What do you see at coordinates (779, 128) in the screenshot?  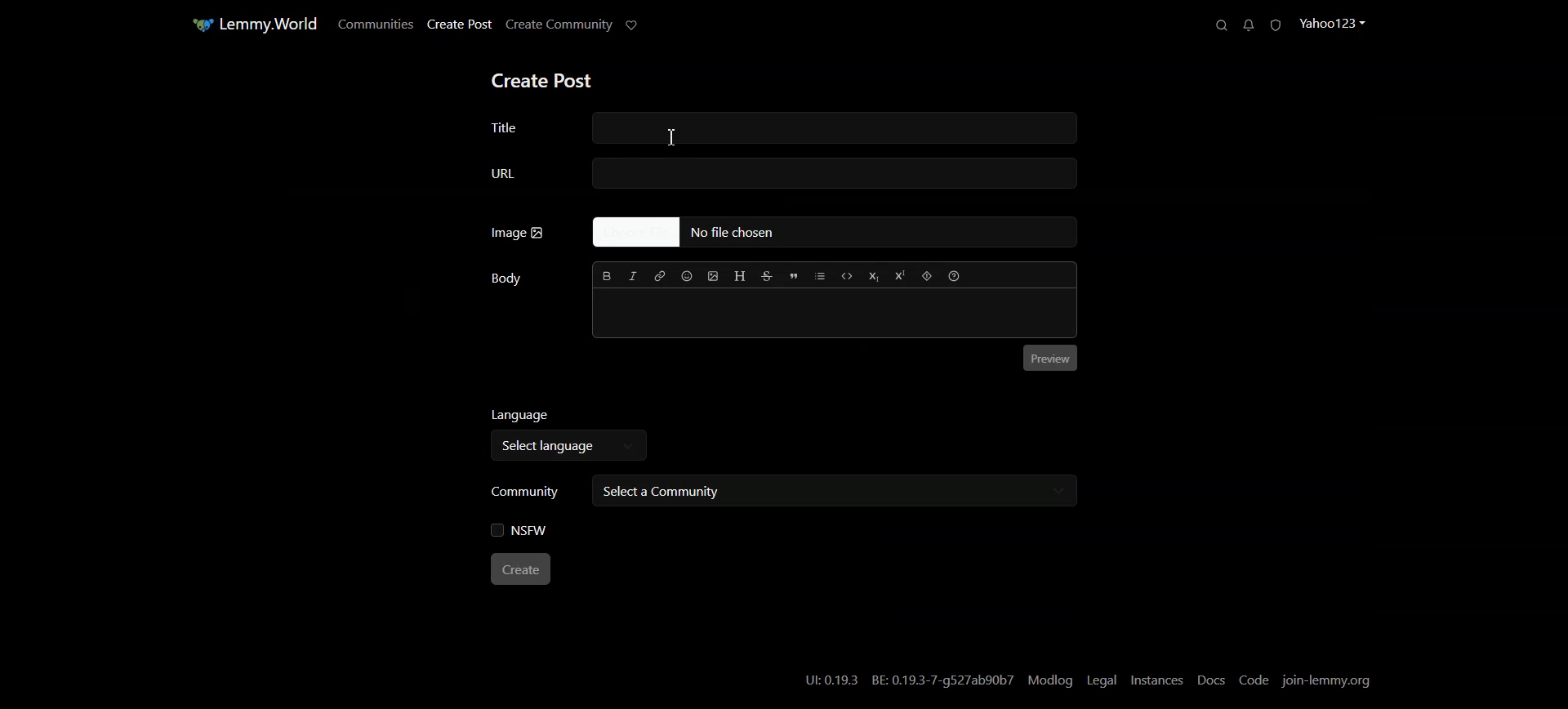 I see `Title` at bounding box center [779, 128].